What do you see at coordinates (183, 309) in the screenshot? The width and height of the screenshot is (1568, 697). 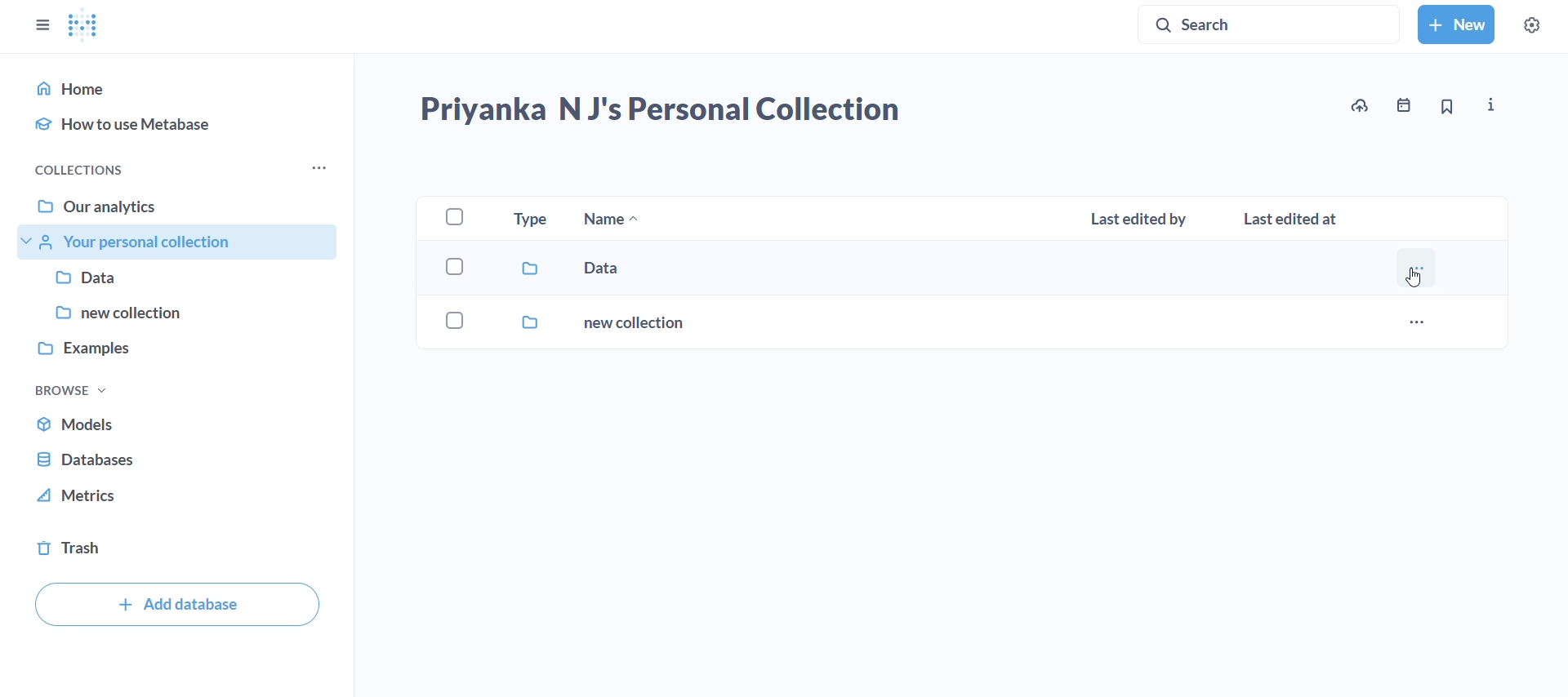 I see `new collection` at bounding box center [183, 309].